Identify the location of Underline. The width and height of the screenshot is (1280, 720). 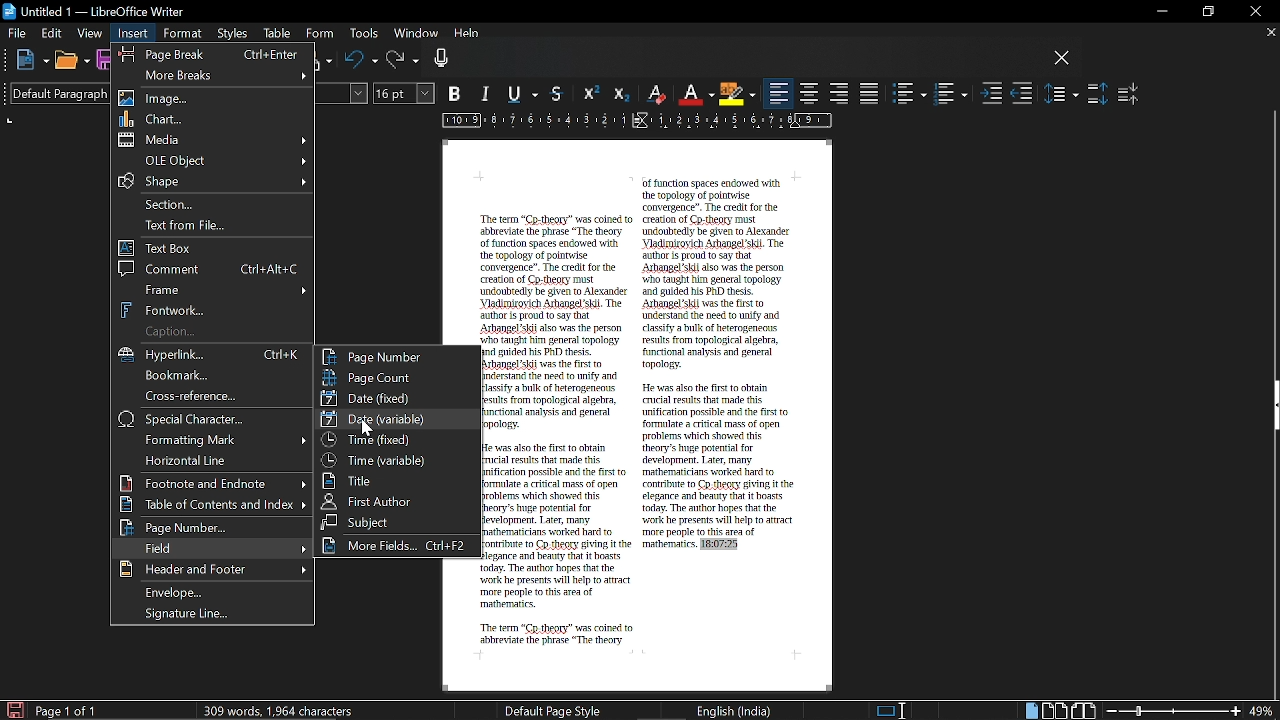
(696, 94).